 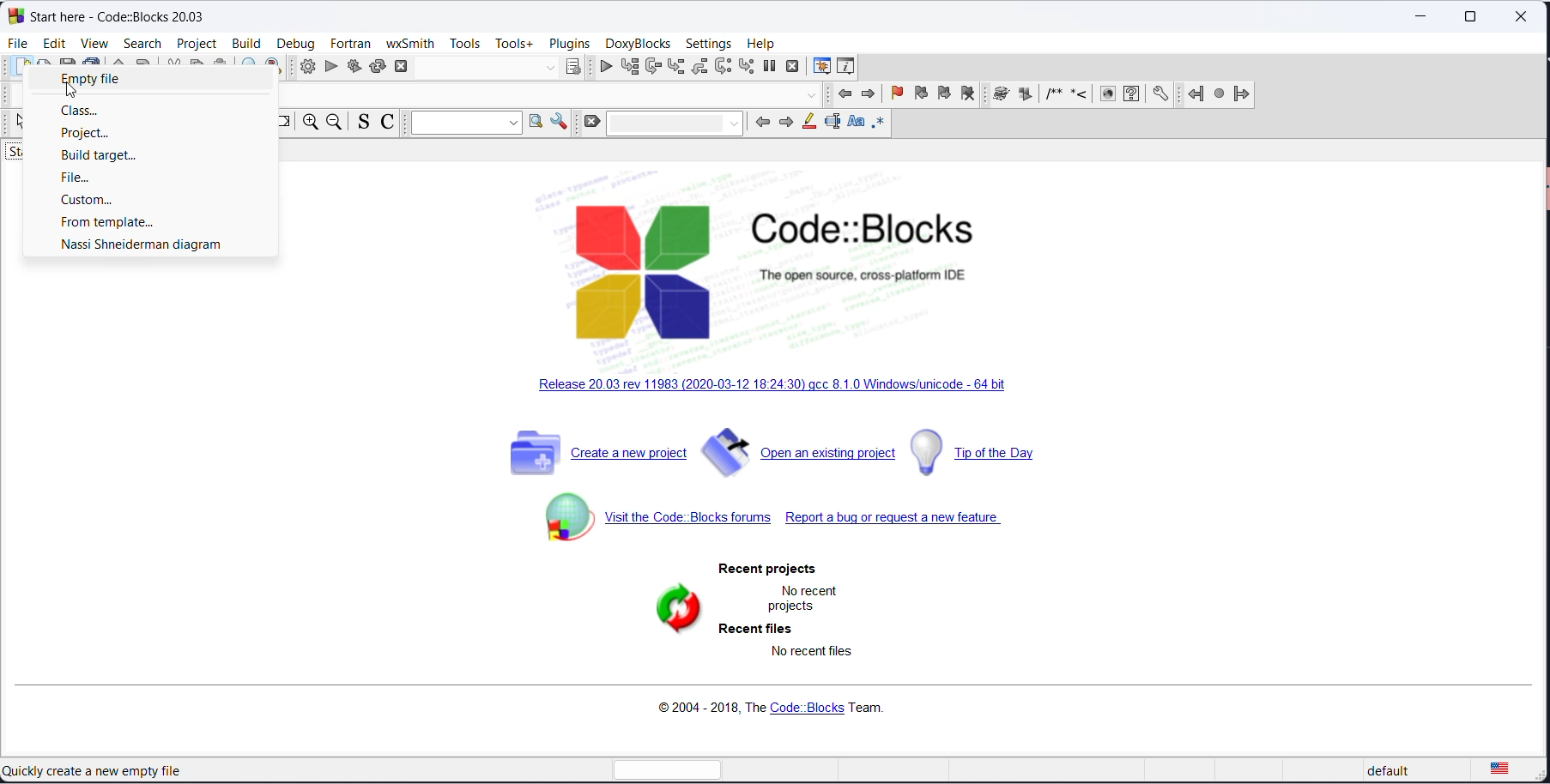 I want to click on build and run, so click(x=352, y=66).